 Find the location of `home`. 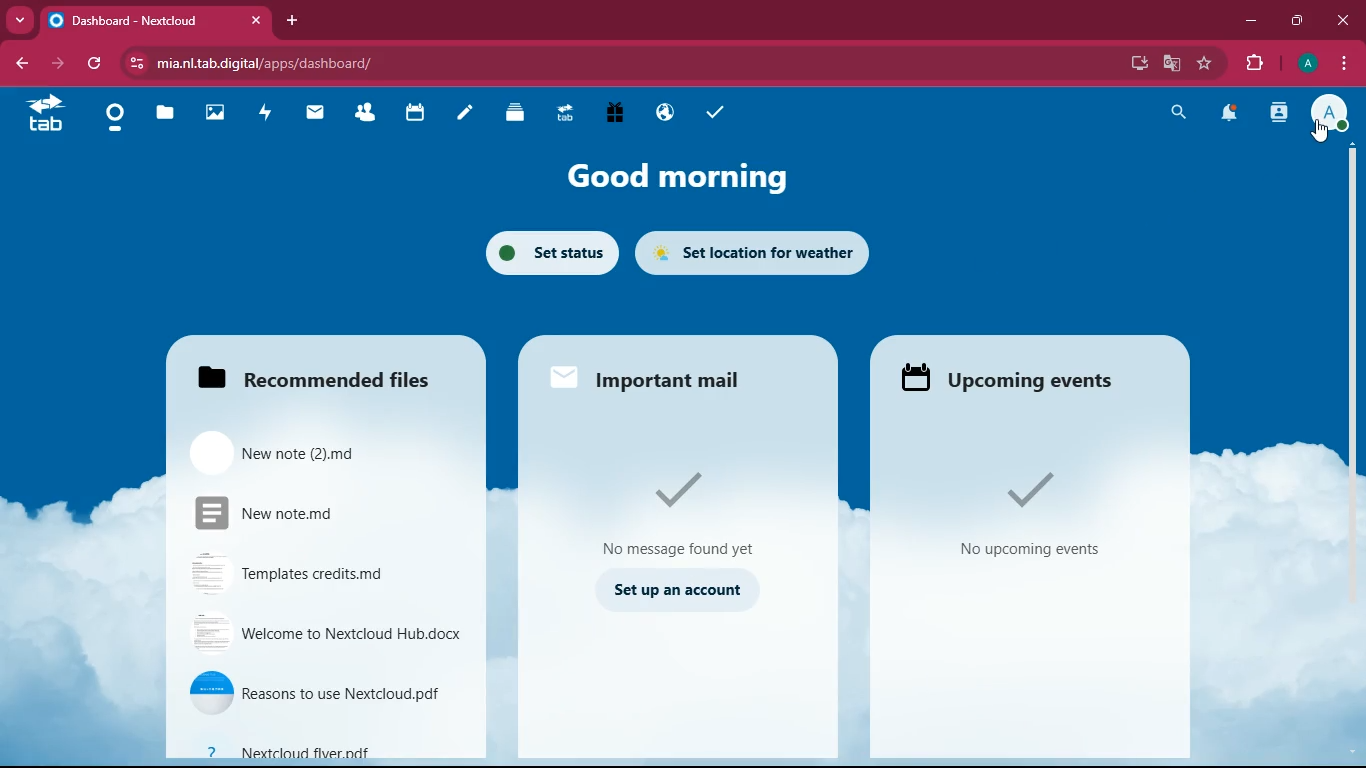

home is located at coordinates (112, 118).